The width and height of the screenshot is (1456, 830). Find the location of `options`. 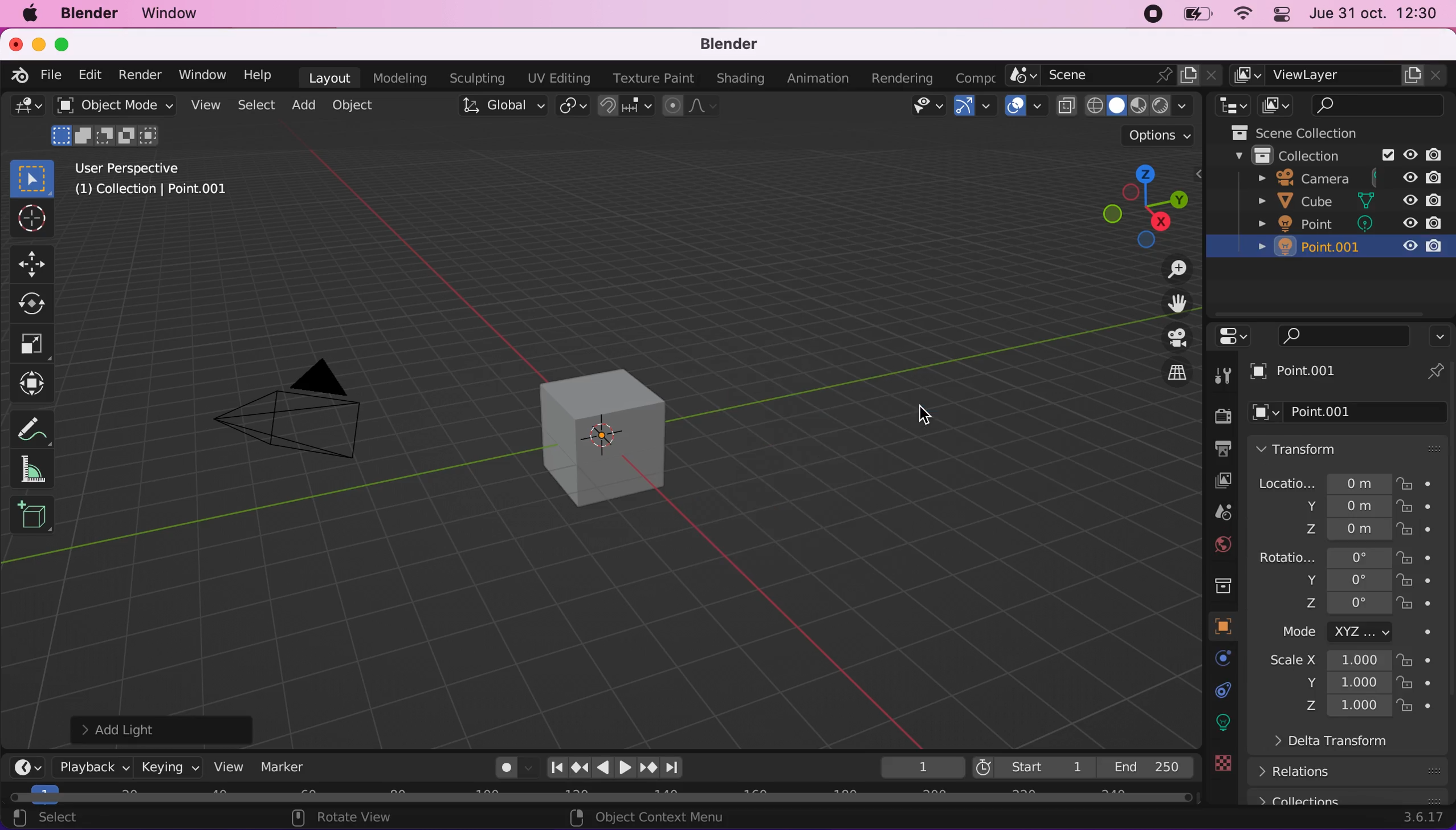

options is located at coordinates (1159, 137).